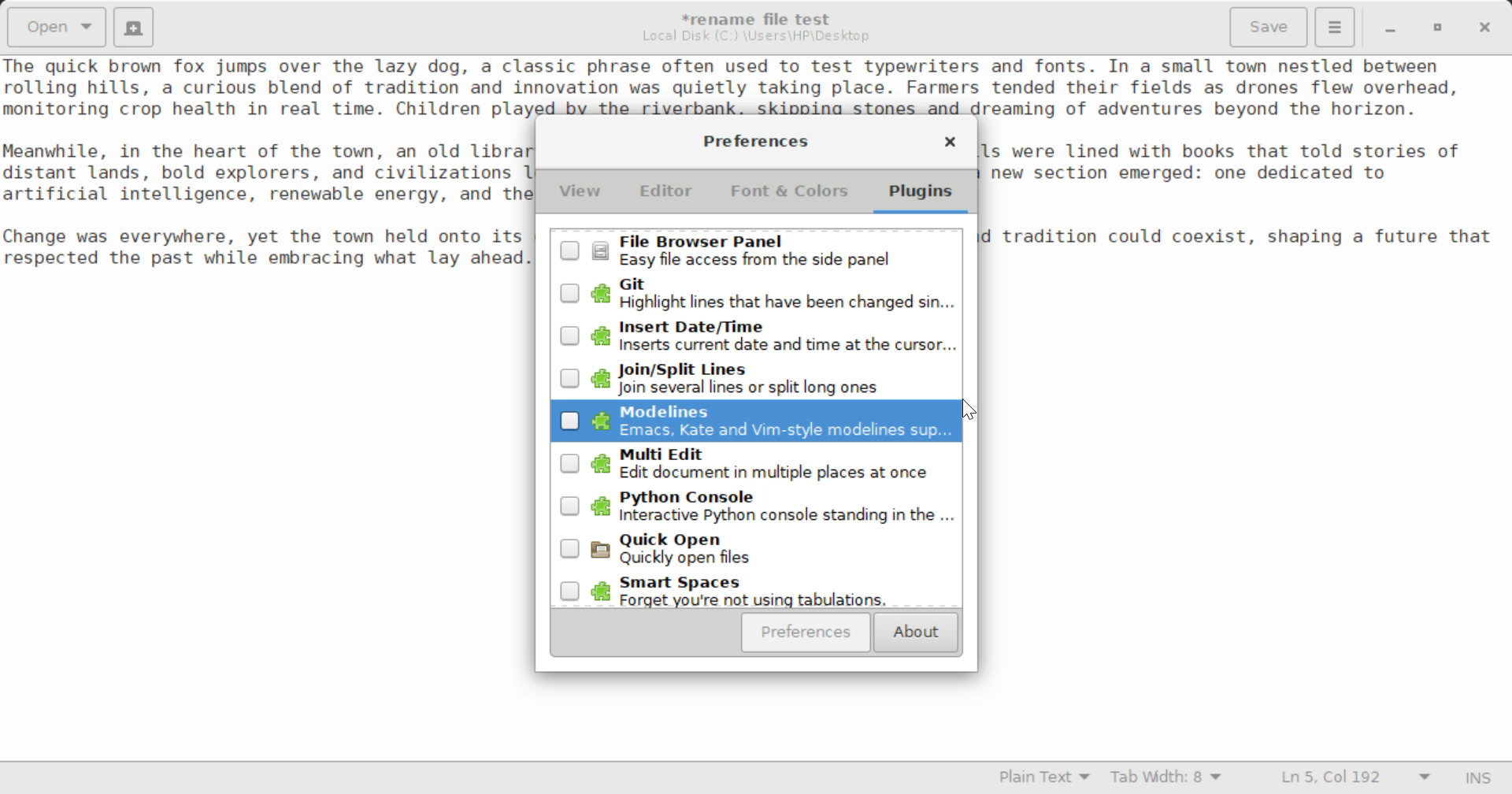 This screenshot has width=1512, height=794. I want to click on Restore Down, so click(1388, 28).